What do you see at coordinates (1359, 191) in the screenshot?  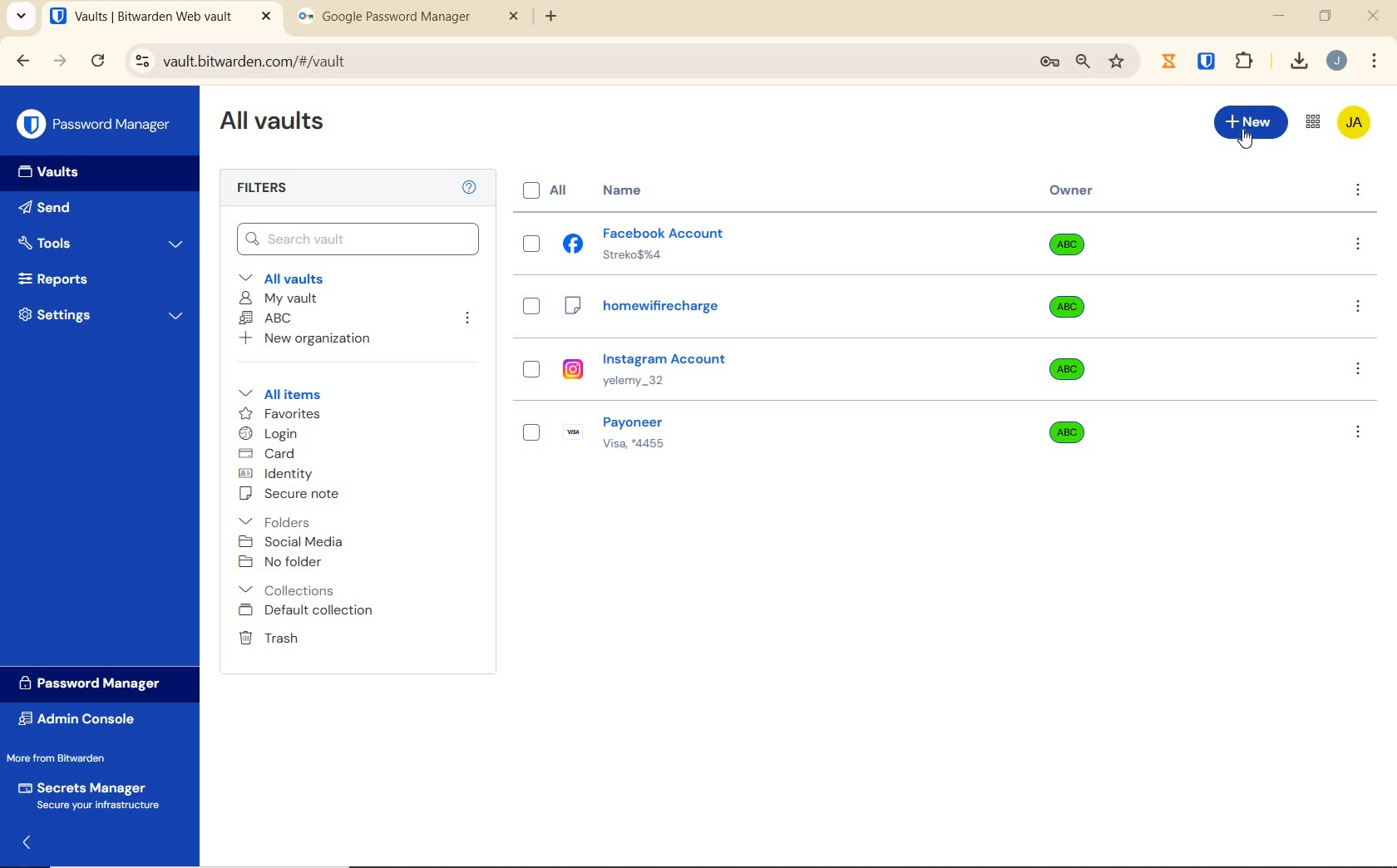 I see `more option` at bounding box center [1359, 191].